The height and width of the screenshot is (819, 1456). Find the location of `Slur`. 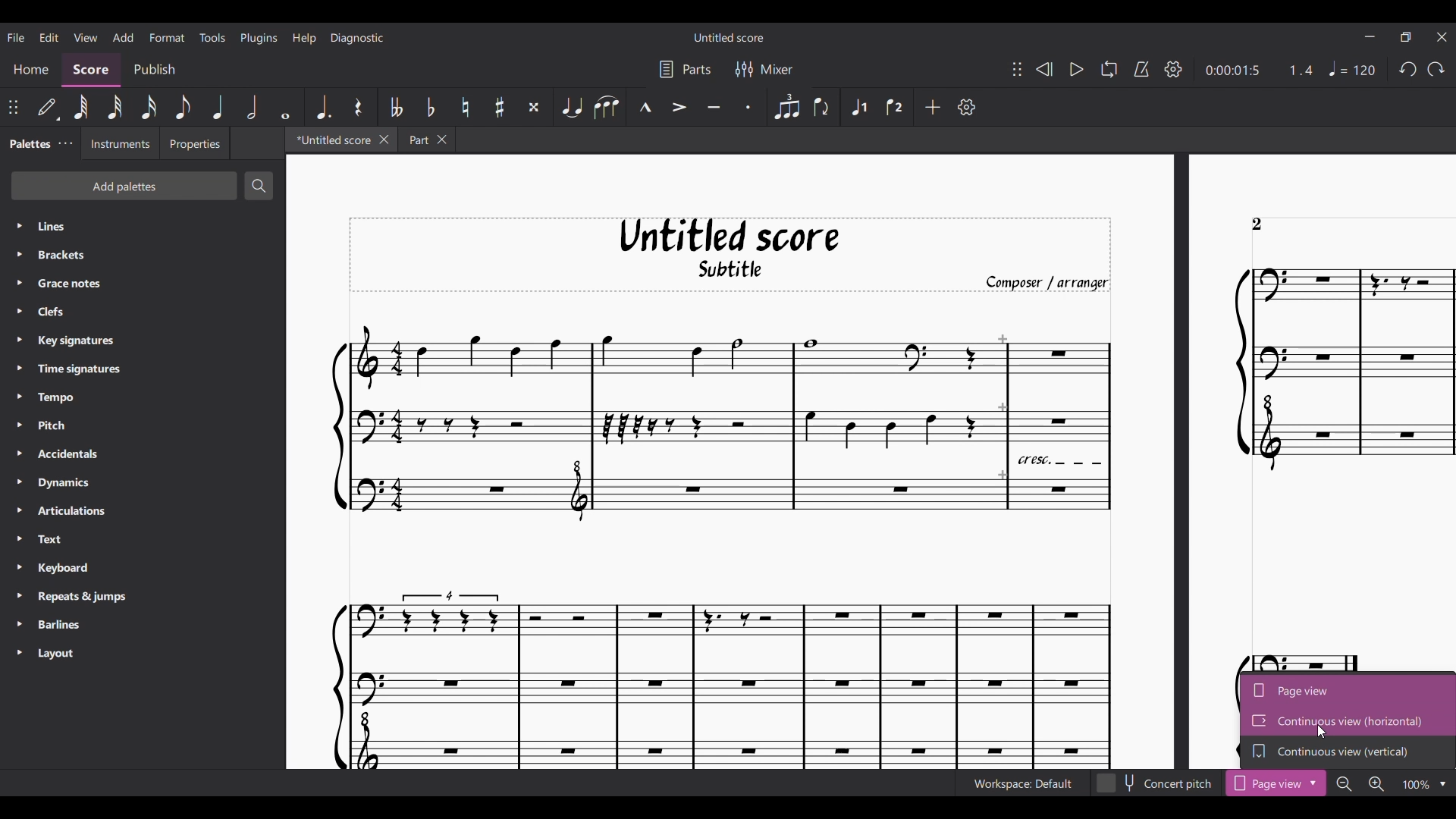

Slur is located at coordinates (606, 107).